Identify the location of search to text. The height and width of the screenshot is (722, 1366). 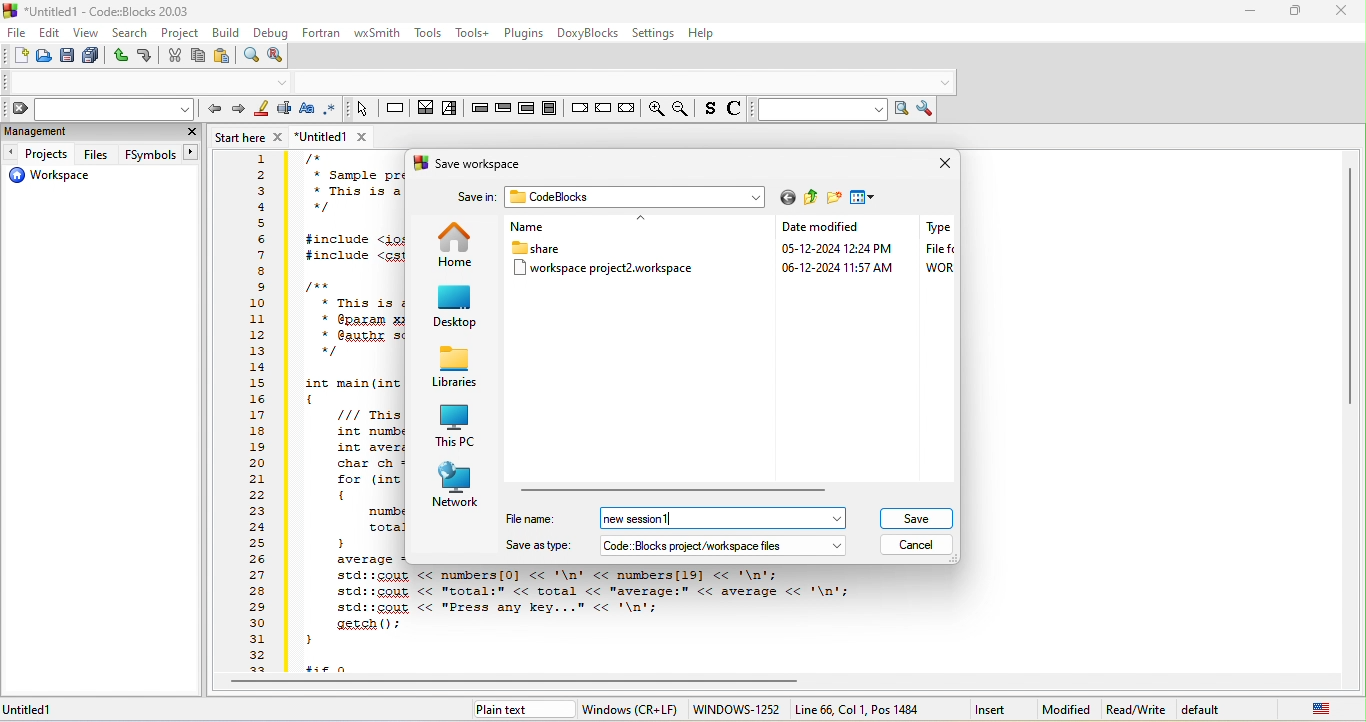
(819, 111).